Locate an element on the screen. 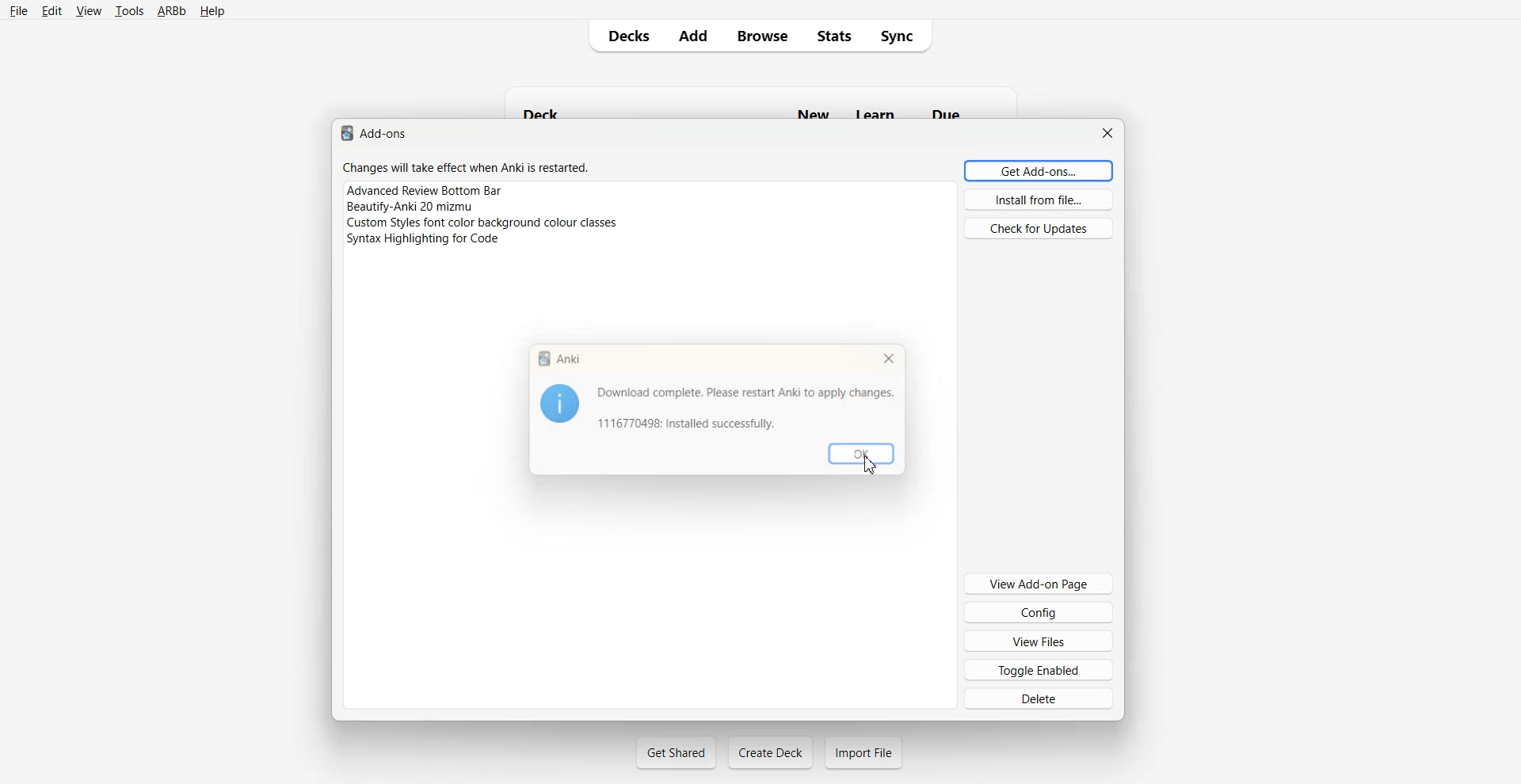 This screenshot has width=1521, height=784. Import File is located at coordinates (863, 752).